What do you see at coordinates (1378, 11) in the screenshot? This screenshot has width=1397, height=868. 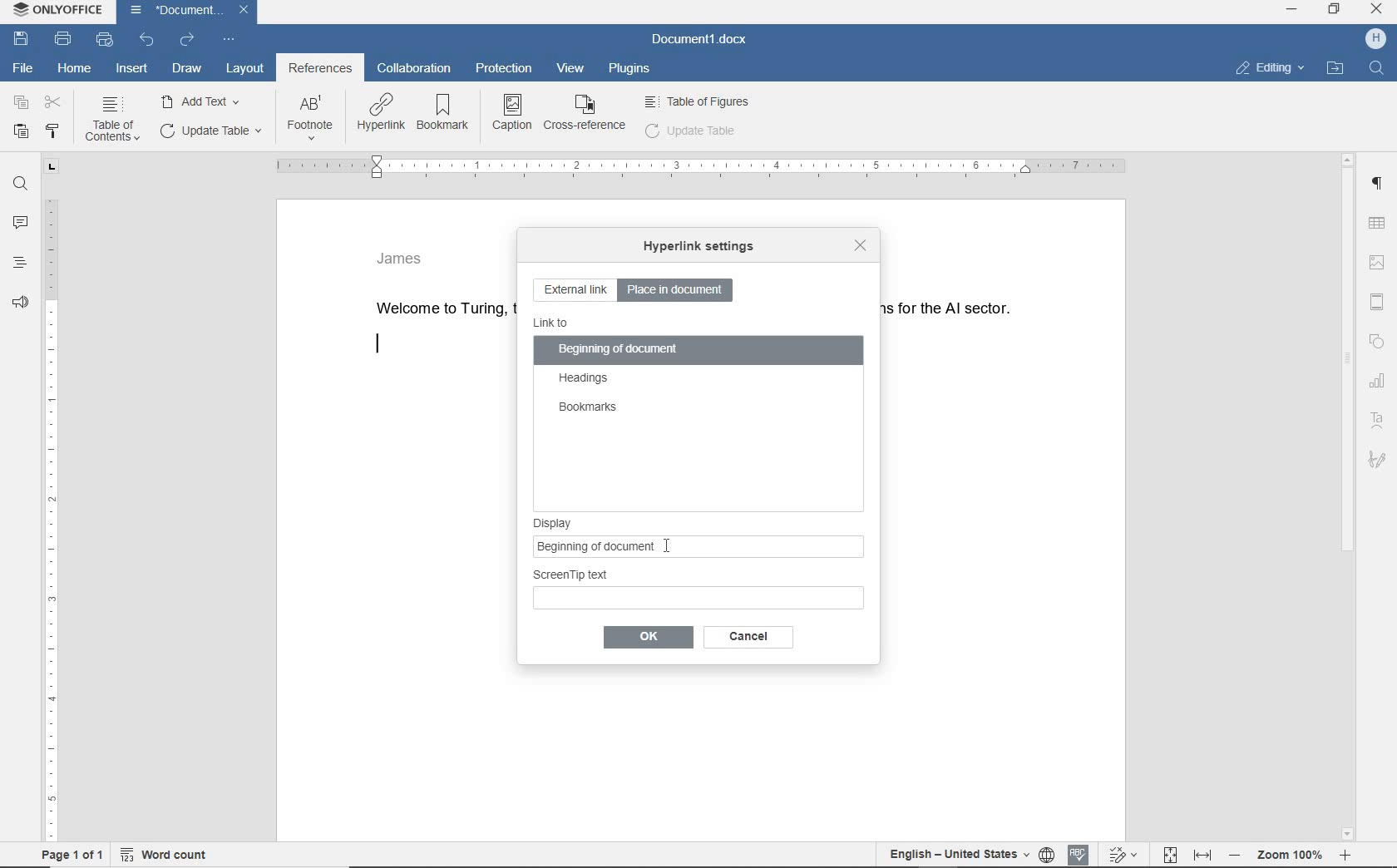 I see `Close` at bounding box center [1378, 11].